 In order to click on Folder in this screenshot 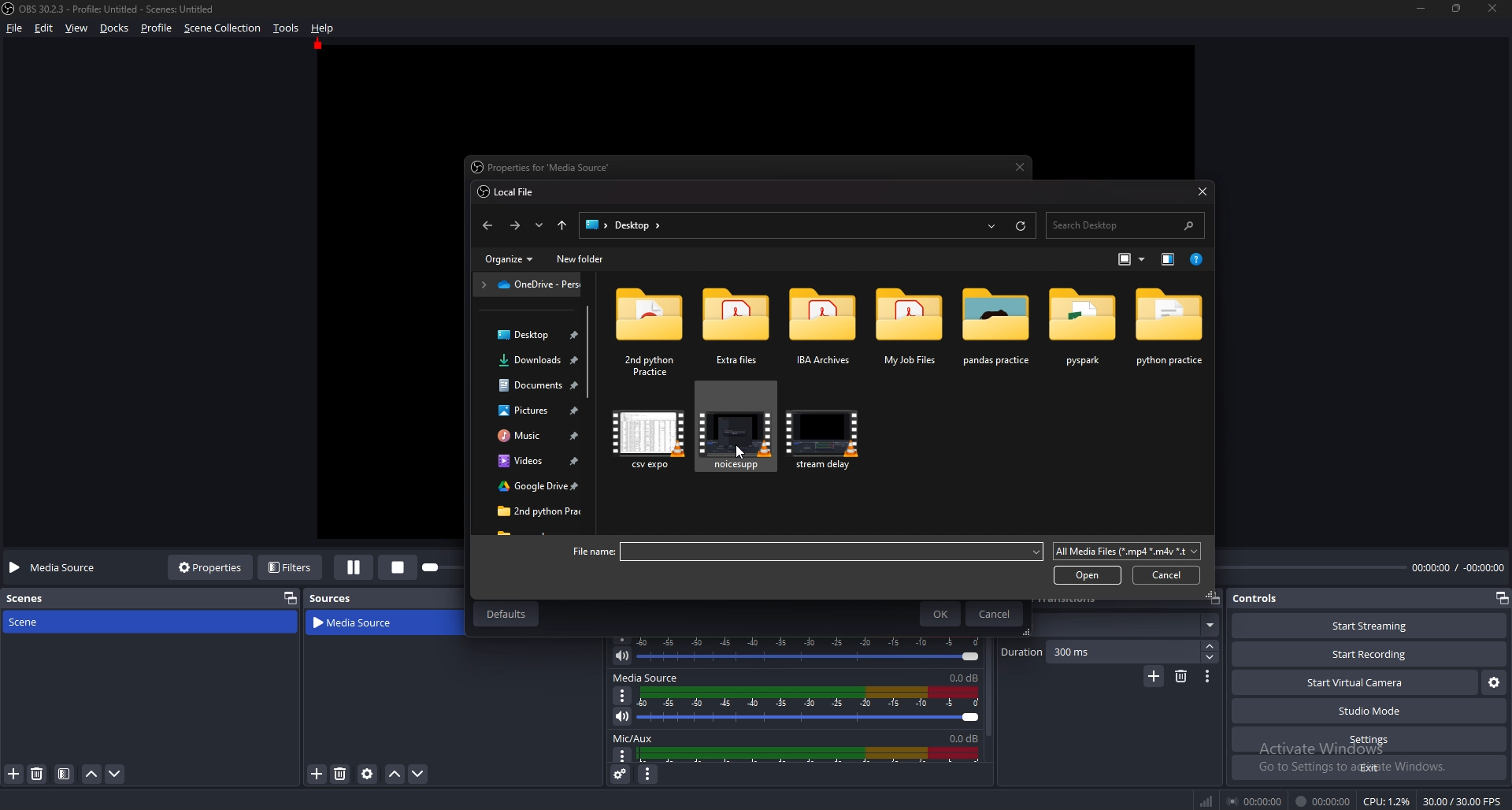, I will do `click(528, 284)`.